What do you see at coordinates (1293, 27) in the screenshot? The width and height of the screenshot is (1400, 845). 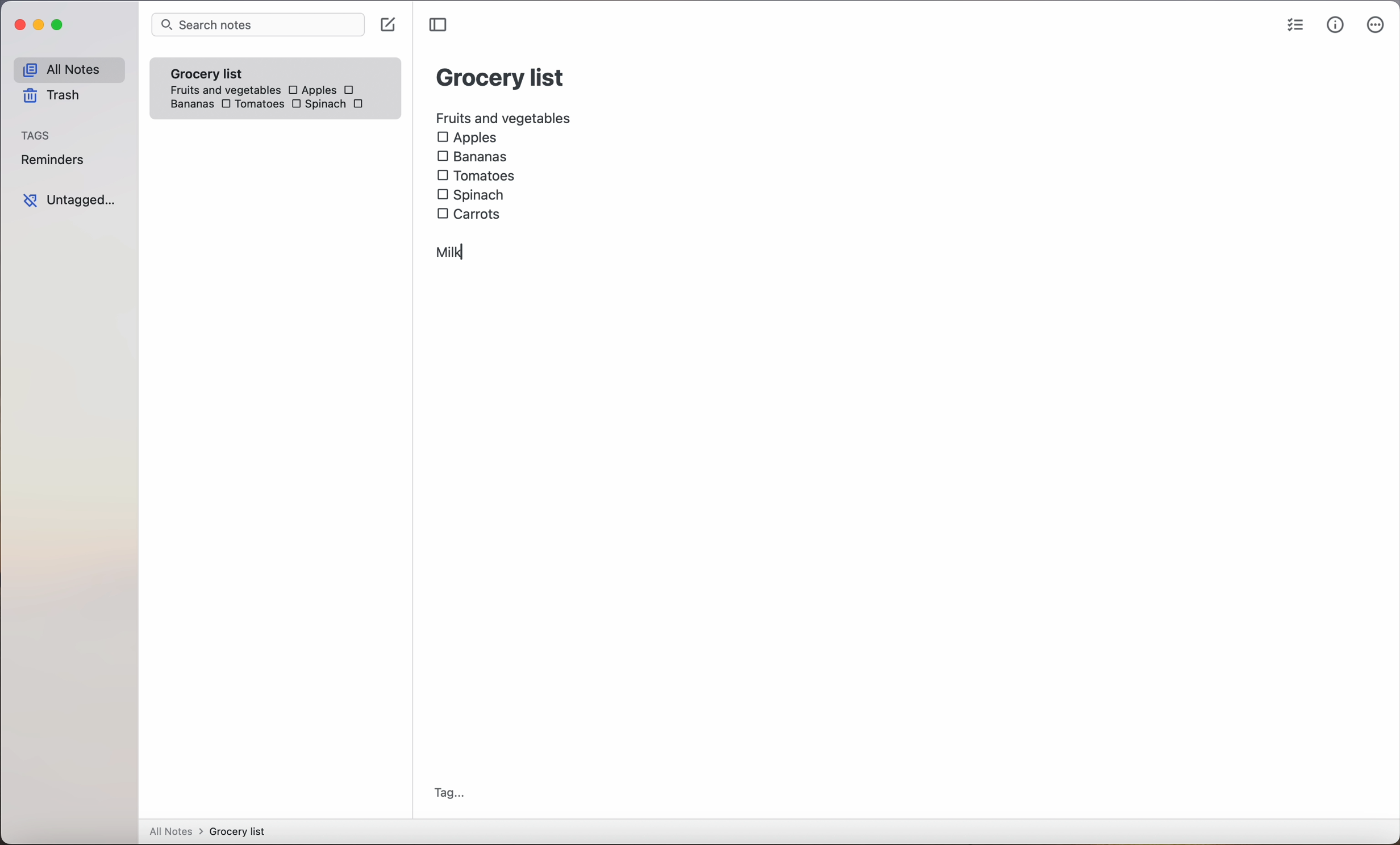 I see `checklist` at bounding box center [1293, 27].